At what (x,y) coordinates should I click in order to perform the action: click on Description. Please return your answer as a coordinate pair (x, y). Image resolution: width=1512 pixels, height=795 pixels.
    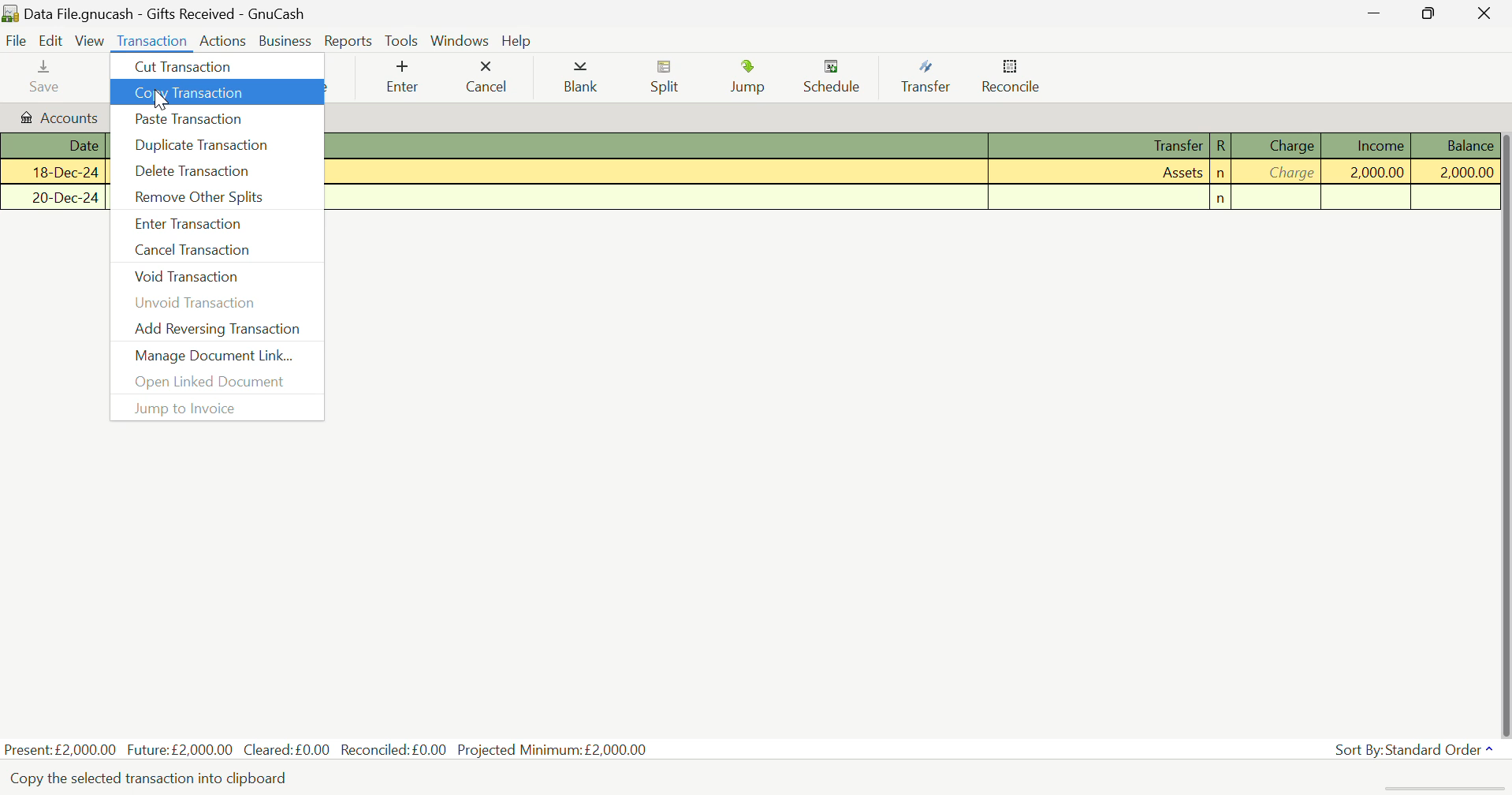
    Looking at the image, I should click on (657, 147).